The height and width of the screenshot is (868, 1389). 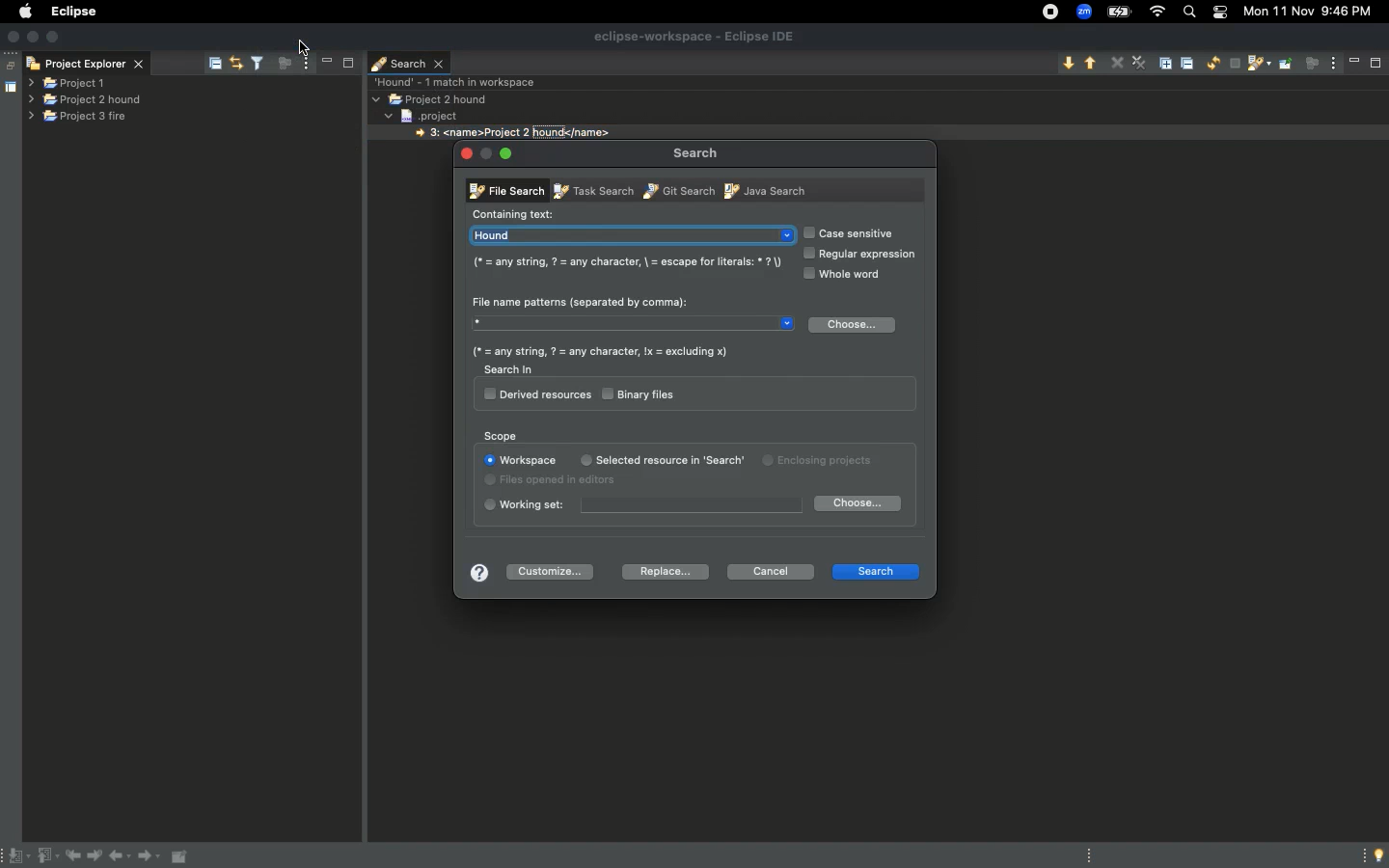 What do you see at coordinates (1118, 12) in the screenshot?
I see `Charge` at bounding box center [1118, 12].